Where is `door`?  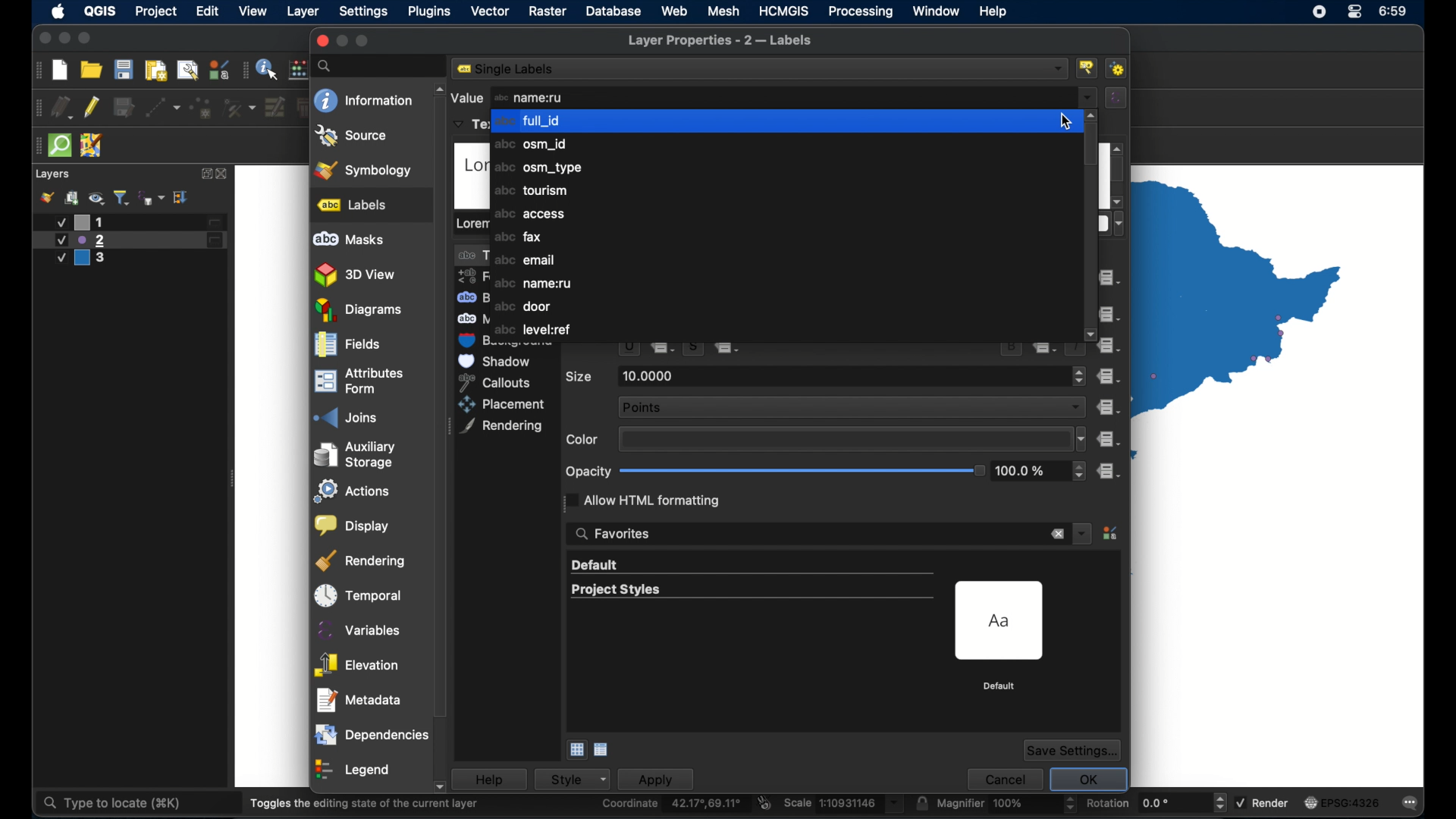
door is located at coordinates (524, 307).